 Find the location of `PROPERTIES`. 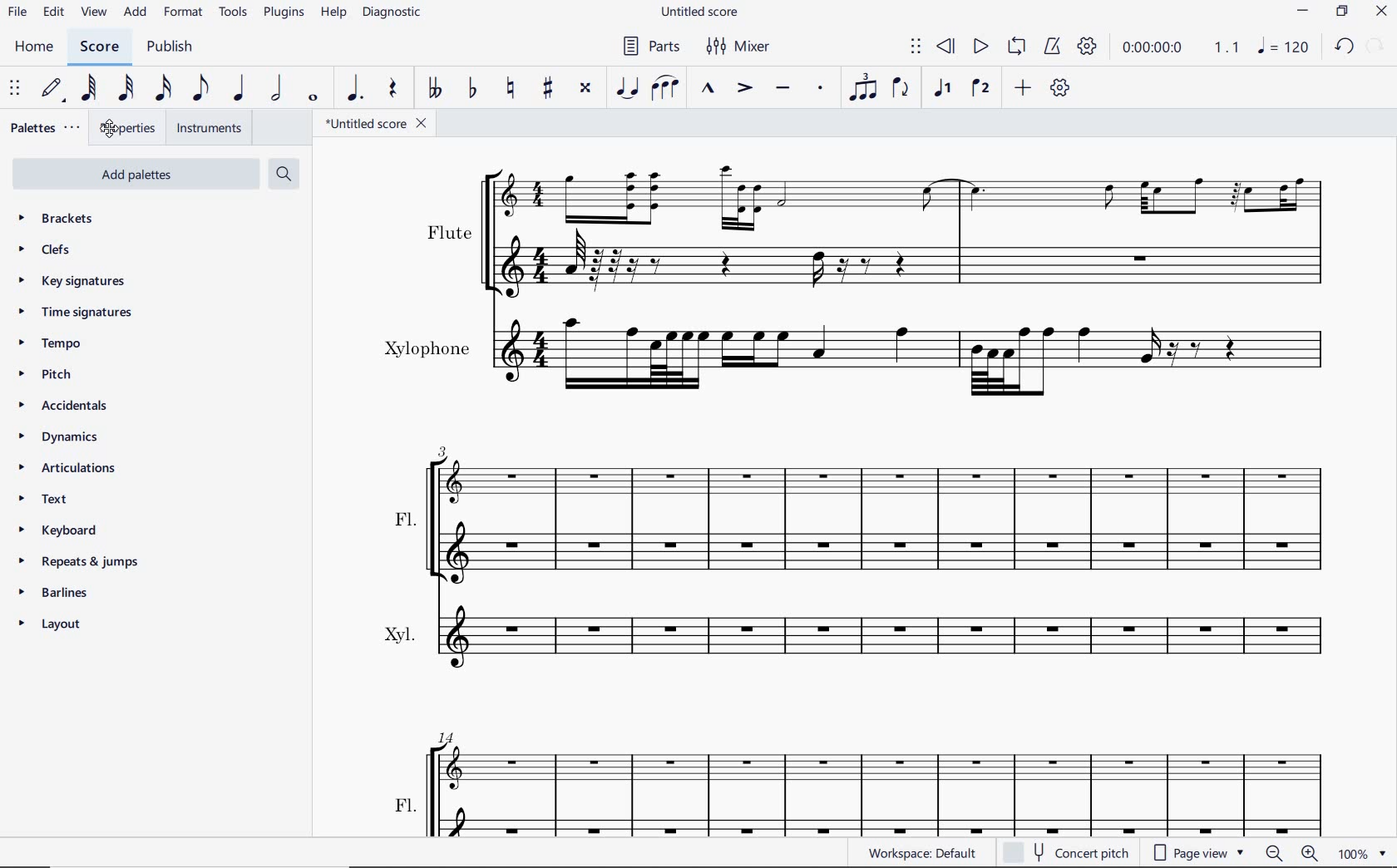

PROPERTIES is located at coordinates (126, 130).